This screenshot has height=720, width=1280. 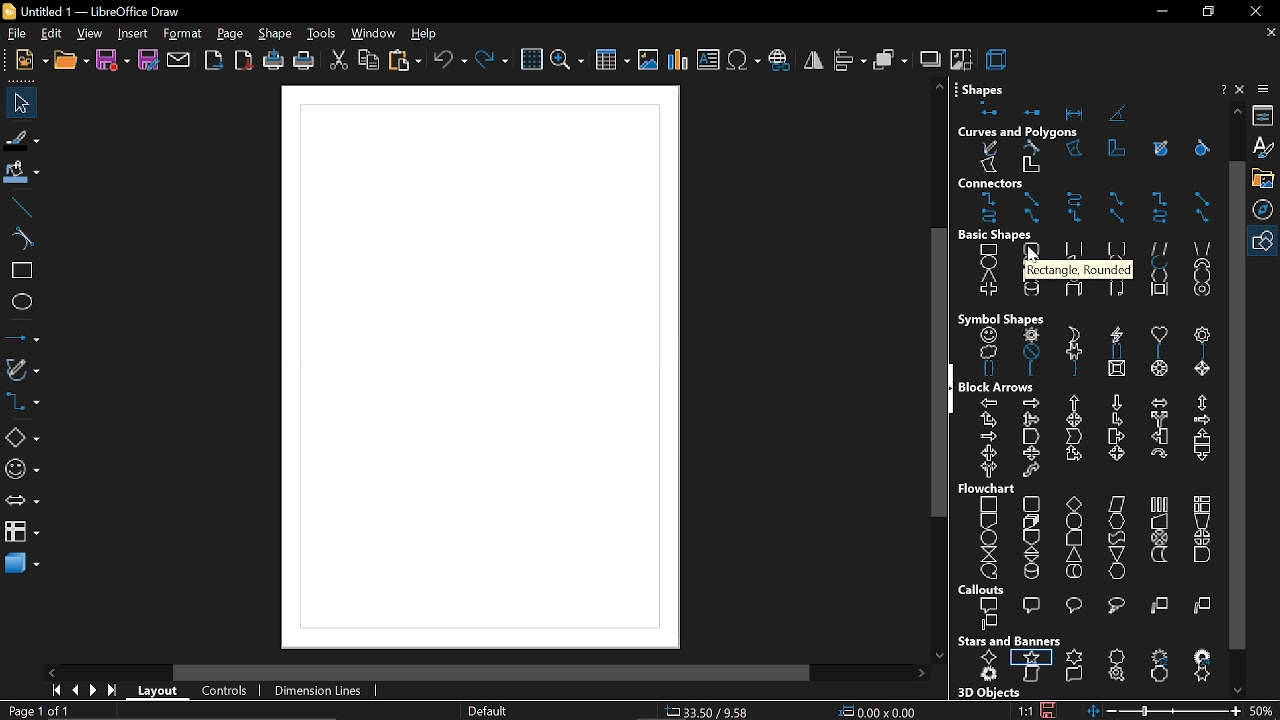 I want to click on navigator, so click(x=1266, y=211).